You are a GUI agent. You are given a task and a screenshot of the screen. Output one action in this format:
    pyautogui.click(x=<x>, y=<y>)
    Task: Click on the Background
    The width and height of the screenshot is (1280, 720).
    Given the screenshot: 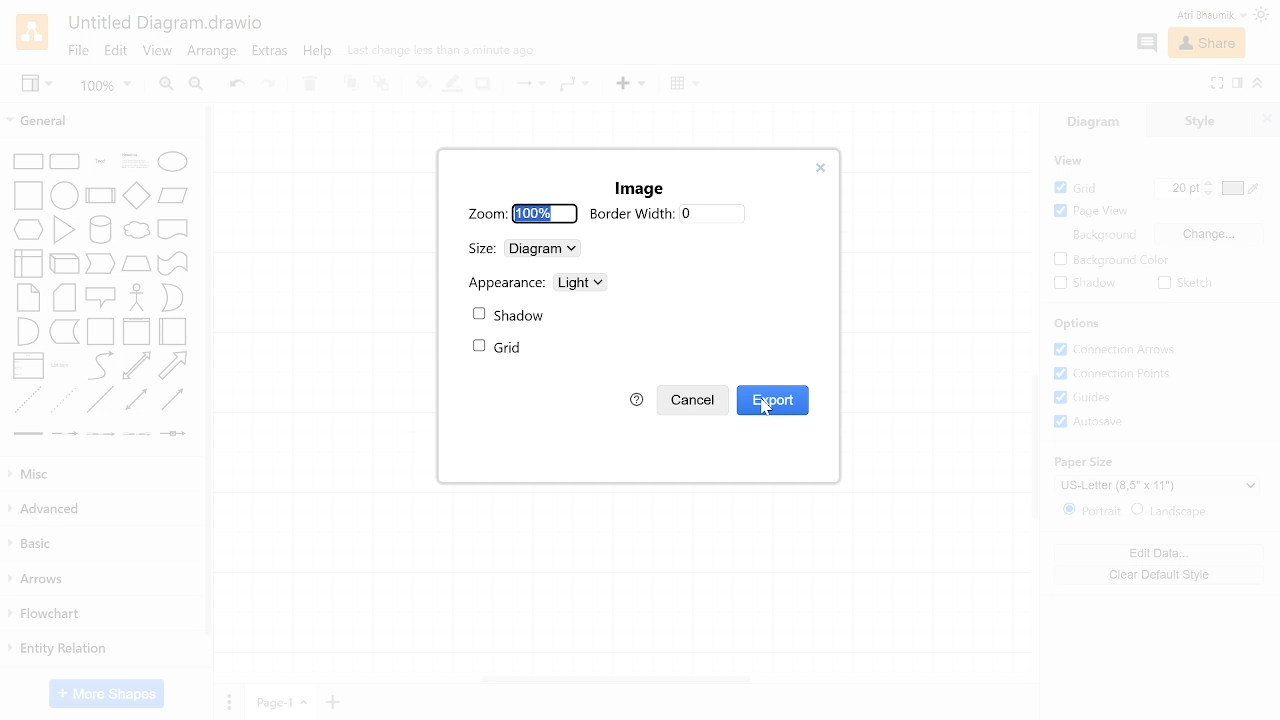 What is the action you would take?
    pyautogui.click(x=1103, y=236)
    